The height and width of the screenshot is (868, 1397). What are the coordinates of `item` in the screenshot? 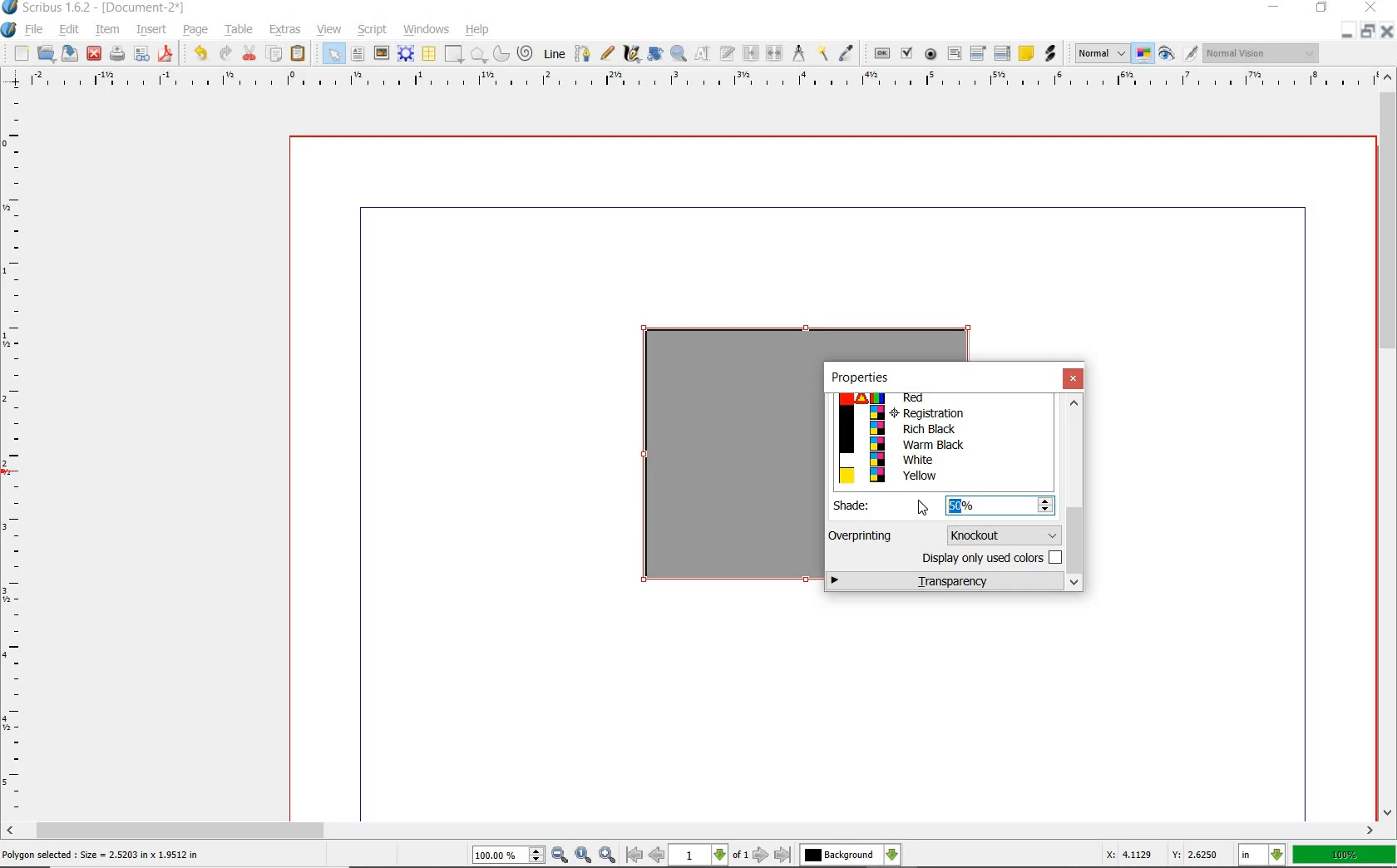 It's located at (109, 29).